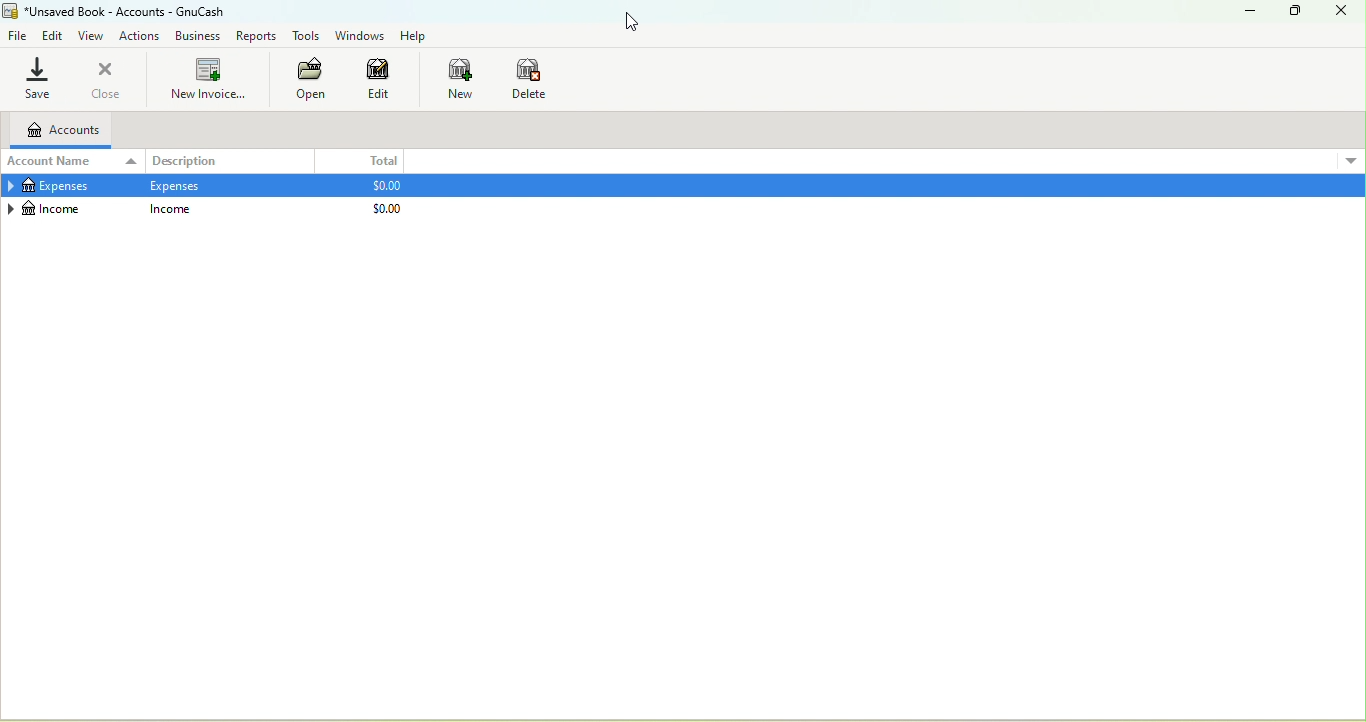  What do you see at coordinates (648, 23) in the screenshot?
I see `Cursor` at bounding box center [648, 23].